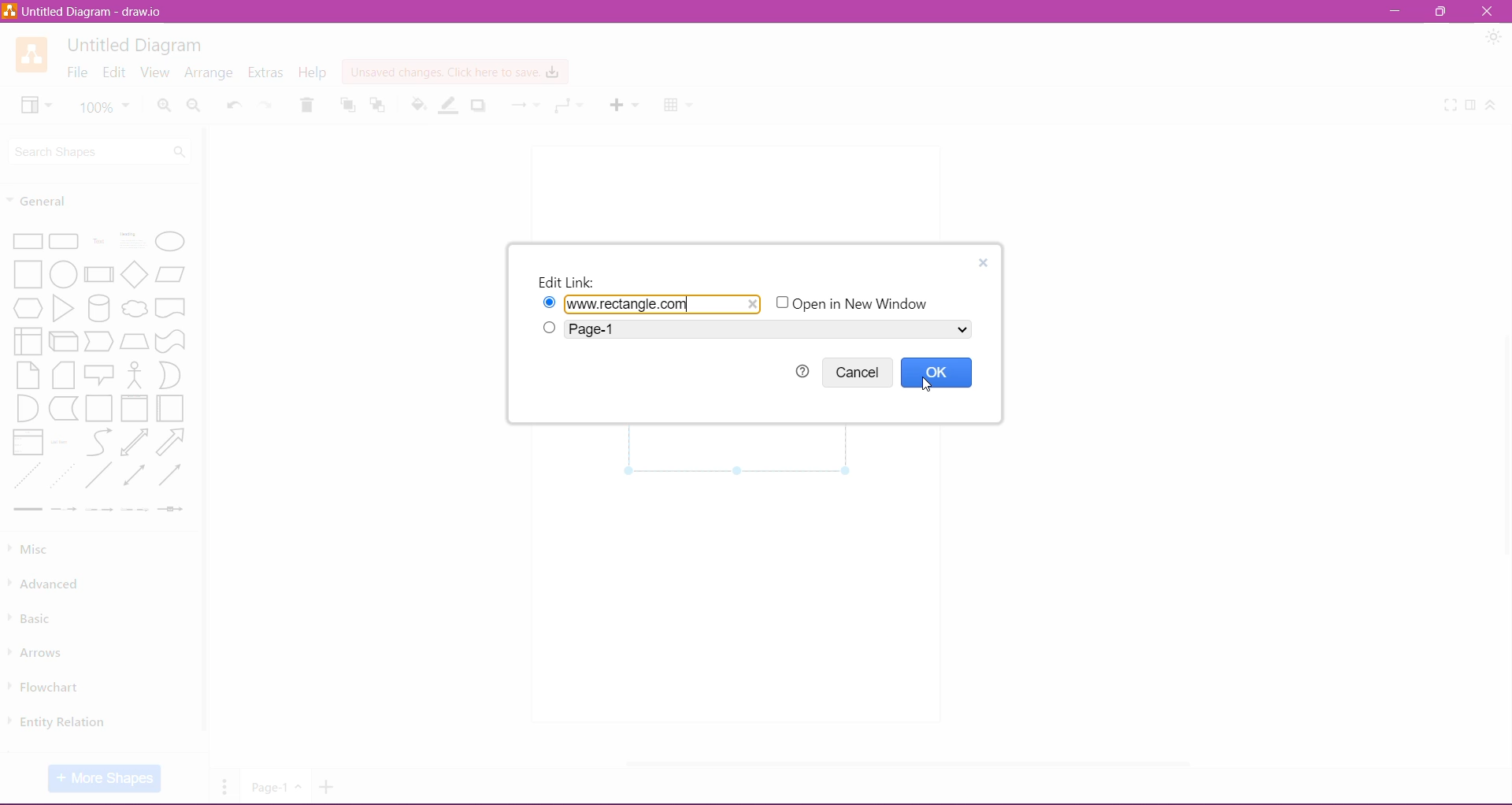 The height and width of the screenshot is (805, 1512). What do you see at coordinates (114, 72) in the screenshot?
I see `Edit` at bounding box center [114, 72].